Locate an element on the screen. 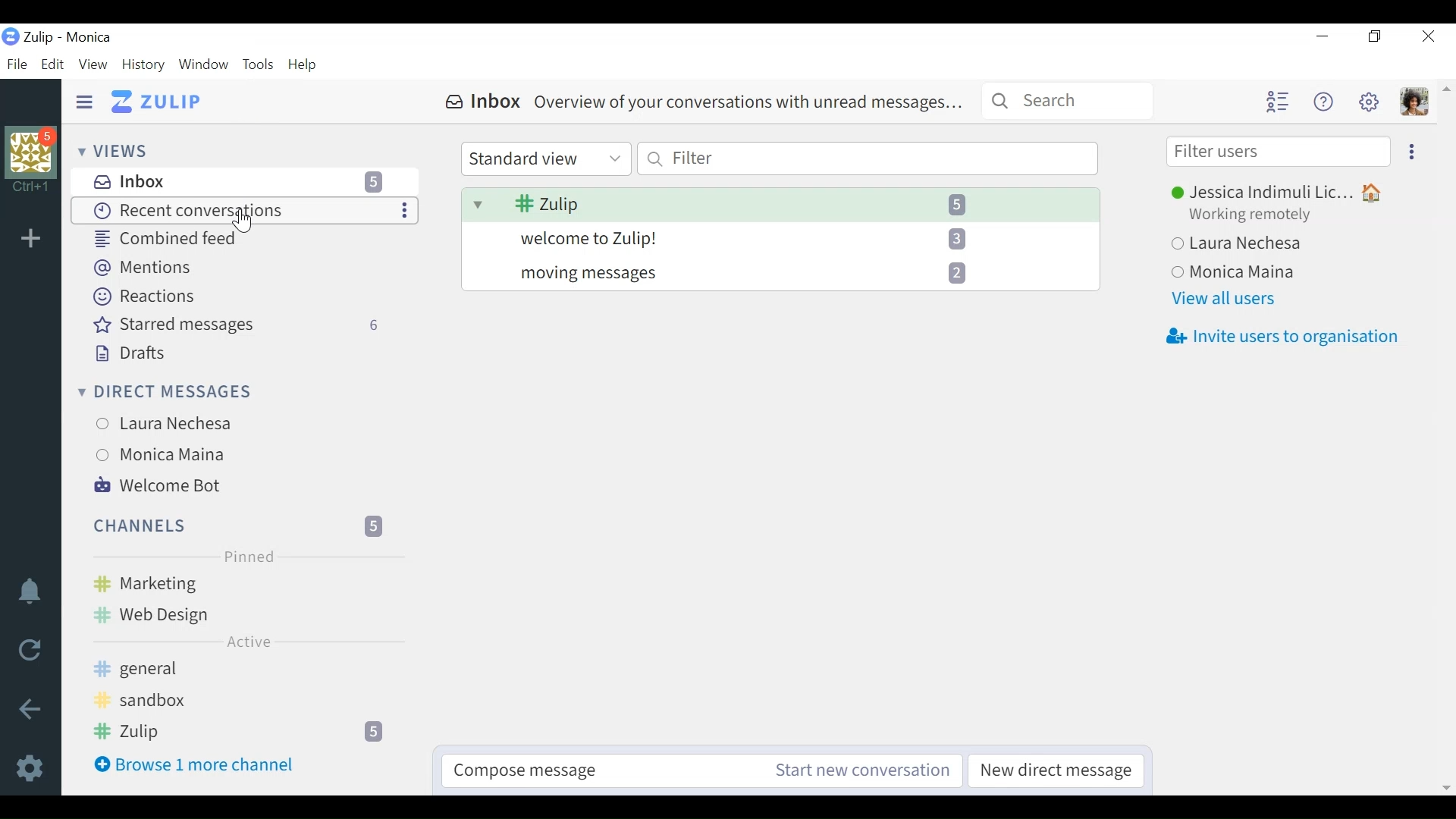  Mentions is located at coordinates (143, 269).